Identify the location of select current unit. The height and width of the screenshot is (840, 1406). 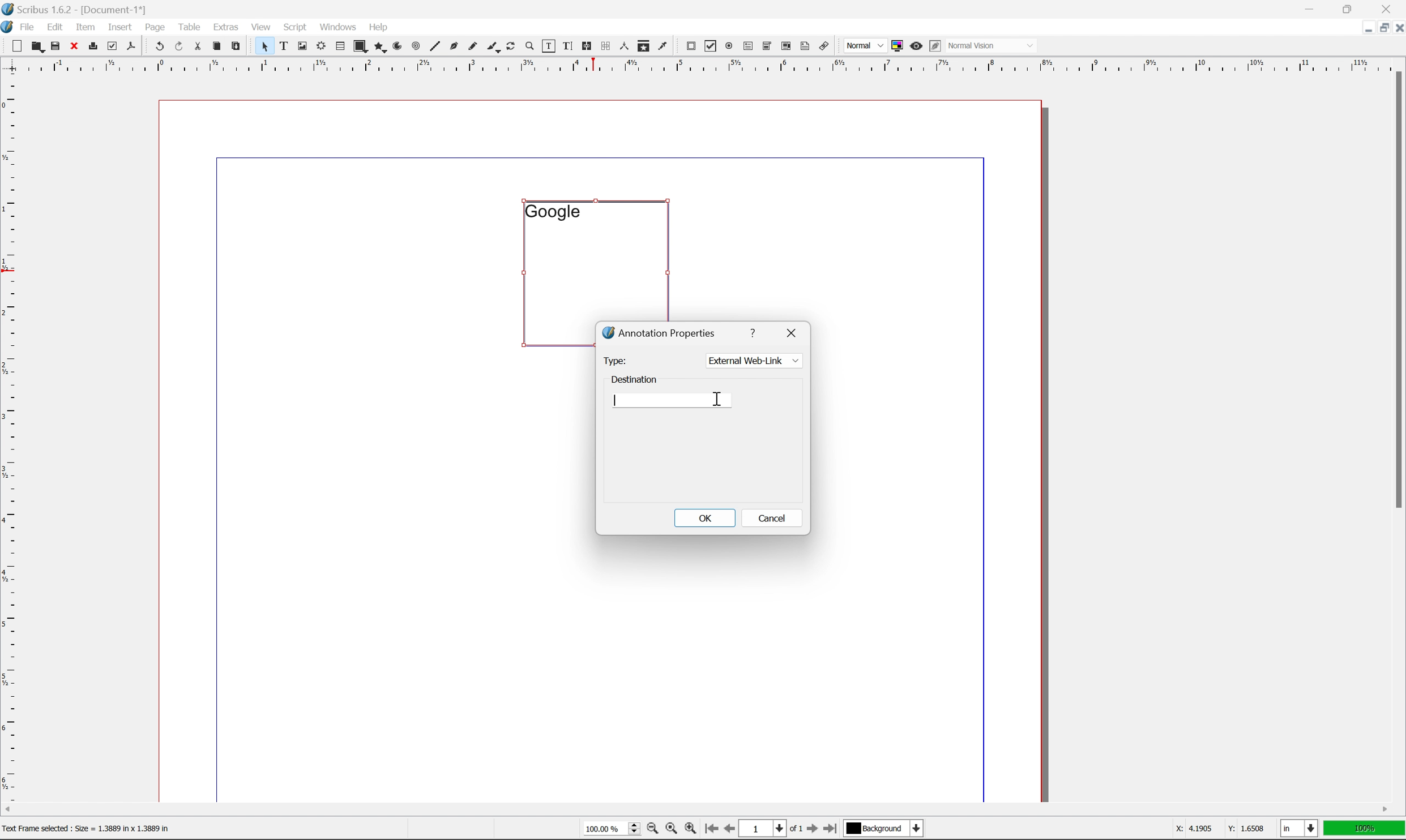
(1301, 829).